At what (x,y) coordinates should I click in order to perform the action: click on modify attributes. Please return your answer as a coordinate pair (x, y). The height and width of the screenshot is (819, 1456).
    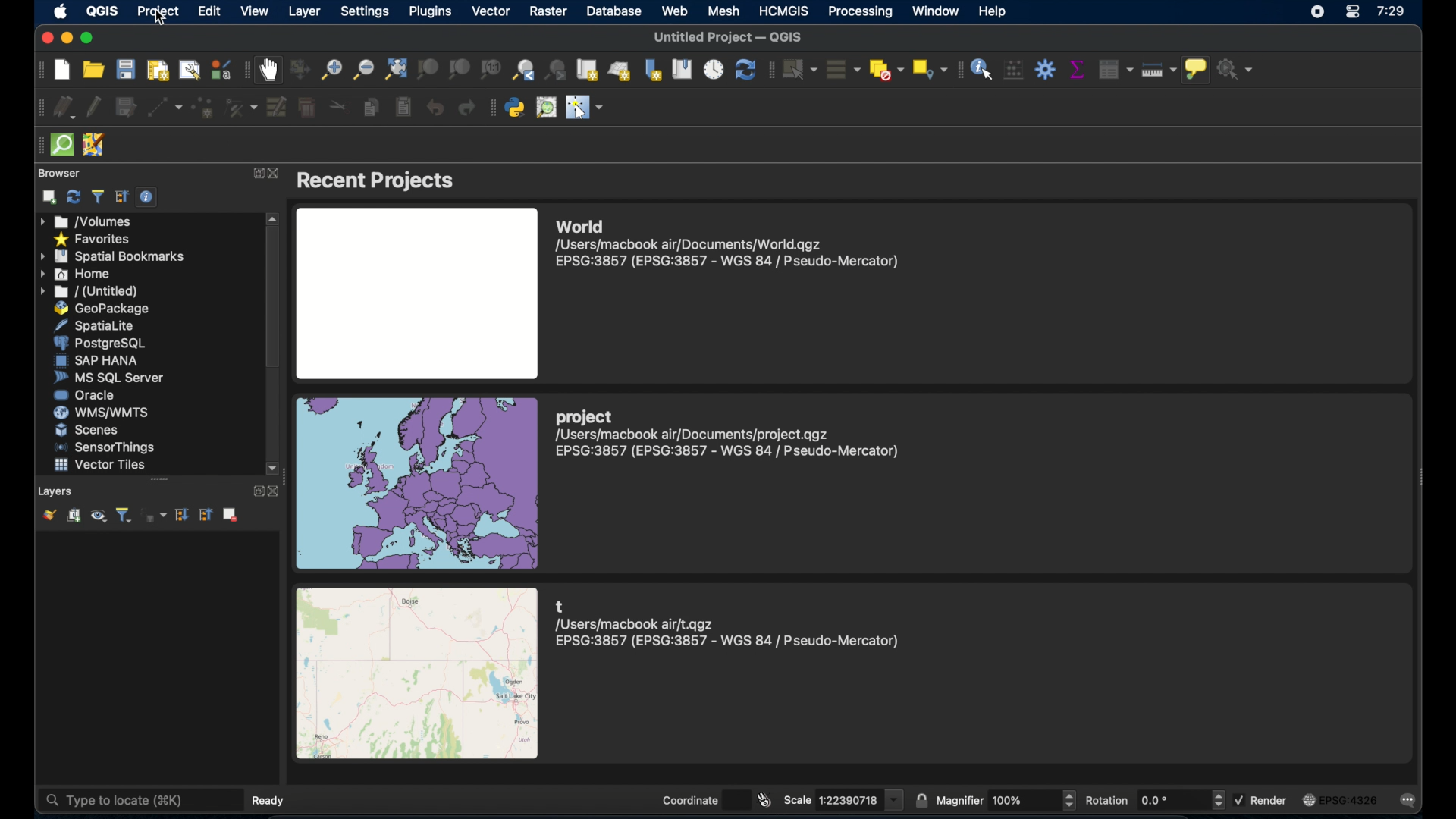
    Looking at the image, I should click on (278, 106).